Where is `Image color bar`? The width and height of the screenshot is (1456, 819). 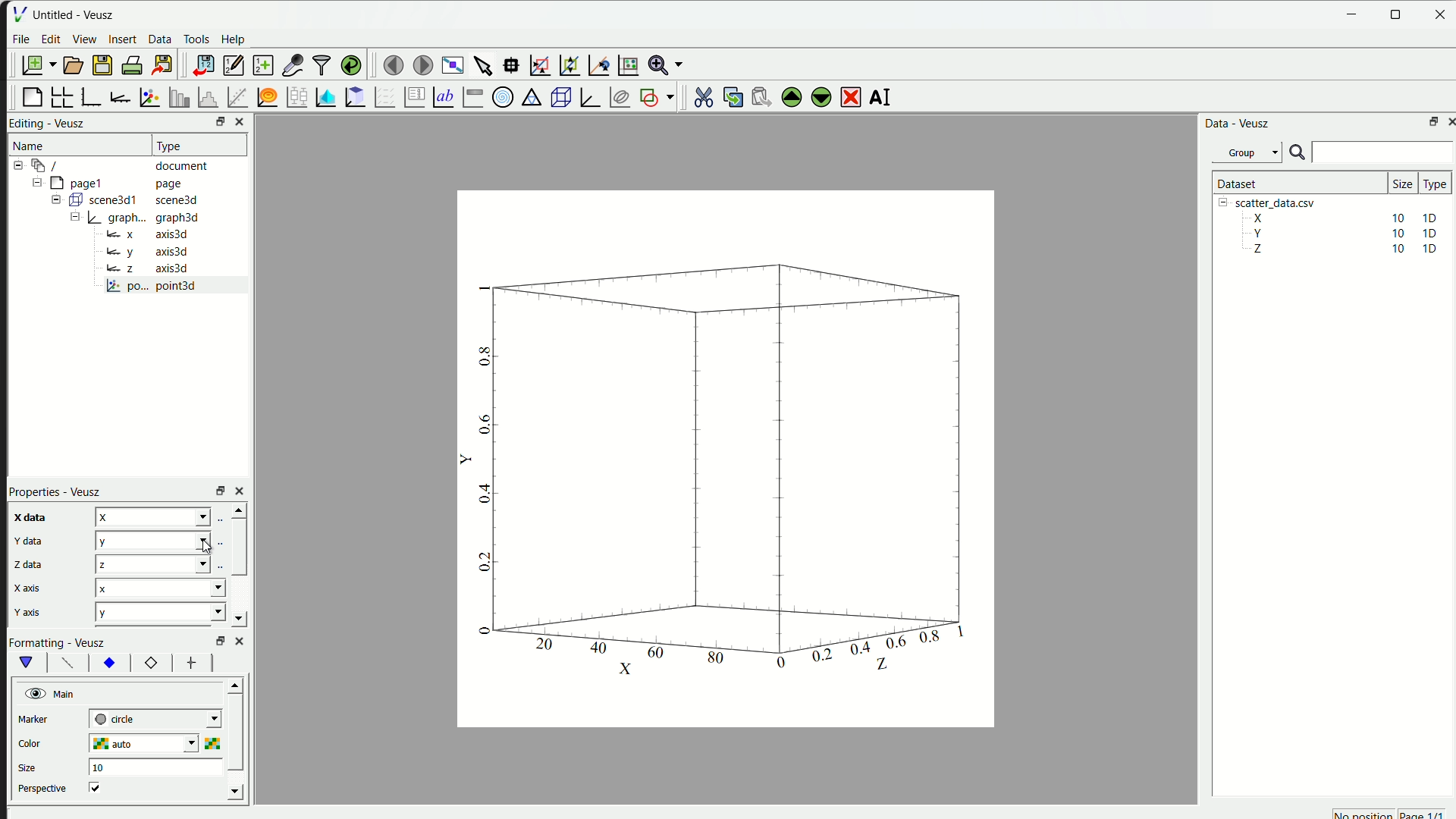 Image color bar is located at coordinates (474, 96).